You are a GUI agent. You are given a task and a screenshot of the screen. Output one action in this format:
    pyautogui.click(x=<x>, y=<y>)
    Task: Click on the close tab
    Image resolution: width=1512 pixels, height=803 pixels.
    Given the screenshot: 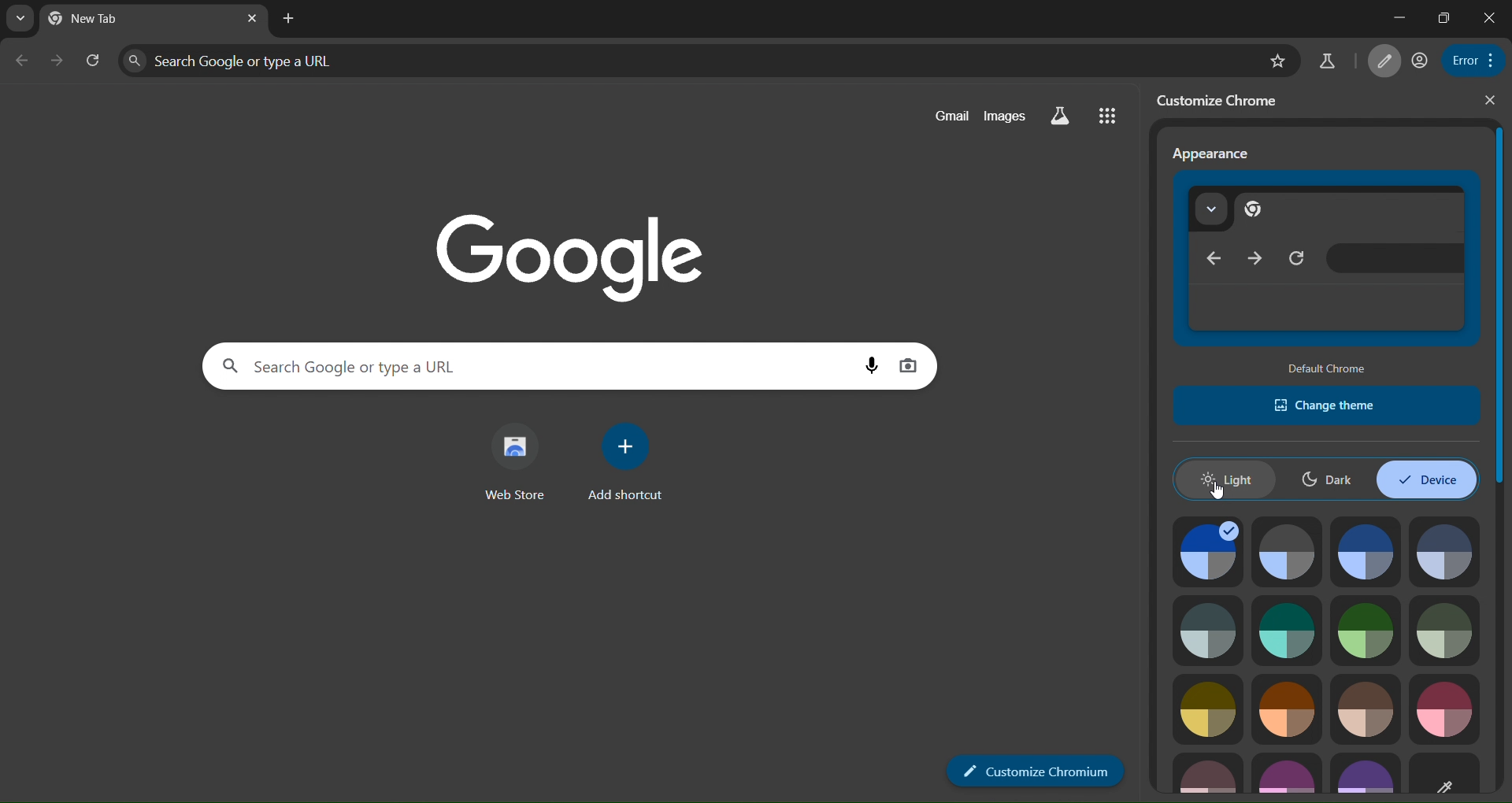 What is the action you would take?
    pyautogui.click(x=291, y=20)
    